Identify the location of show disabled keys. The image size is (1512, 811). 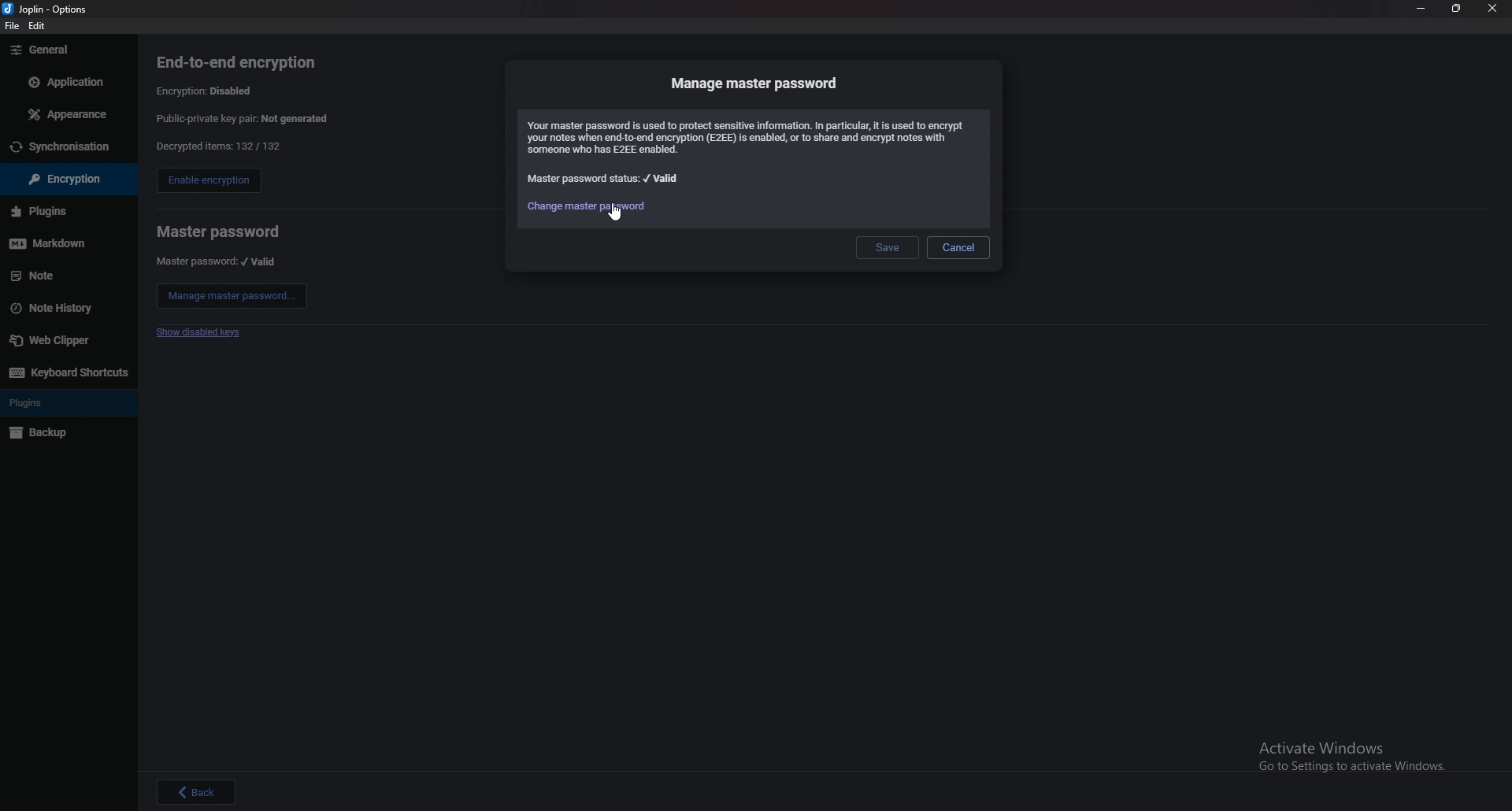
(202, 333).